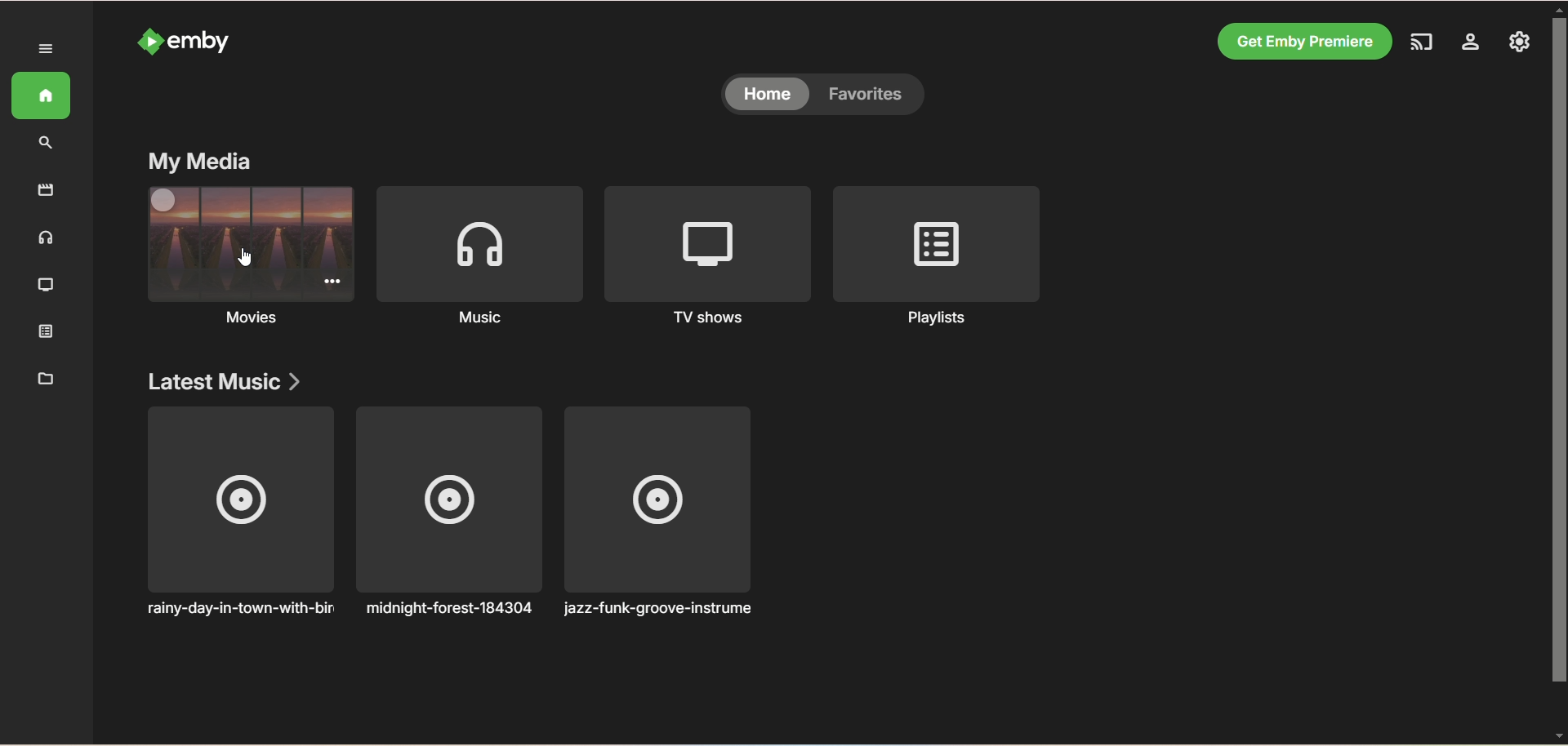 This screenshot has width=1568, height=746. Describe the element at coordinates (1419, 41) in the screenshot. I see `play on another device` at that location.